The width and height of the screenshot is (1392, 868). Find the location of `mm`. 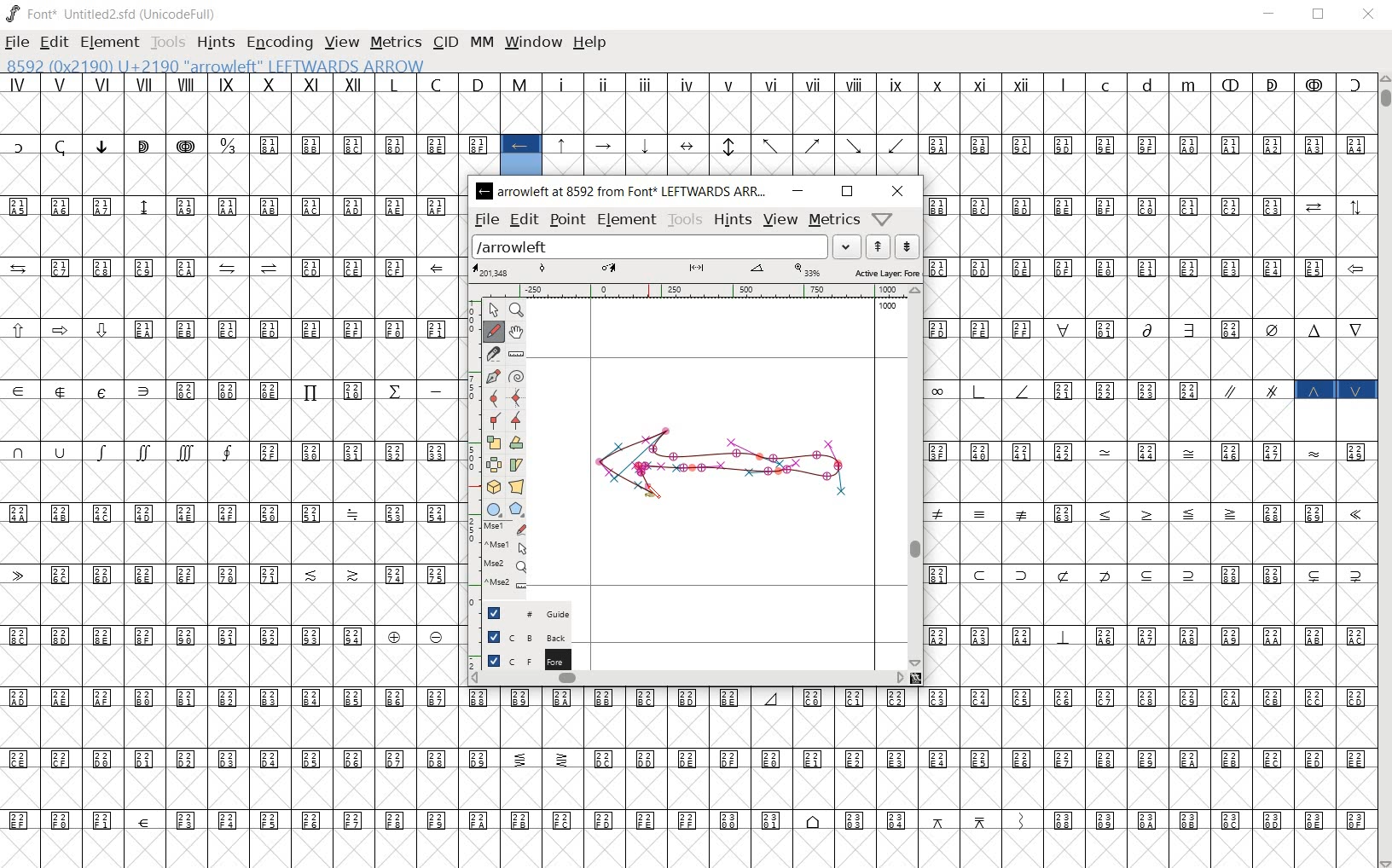

mm is located at coordinates (482, 42).